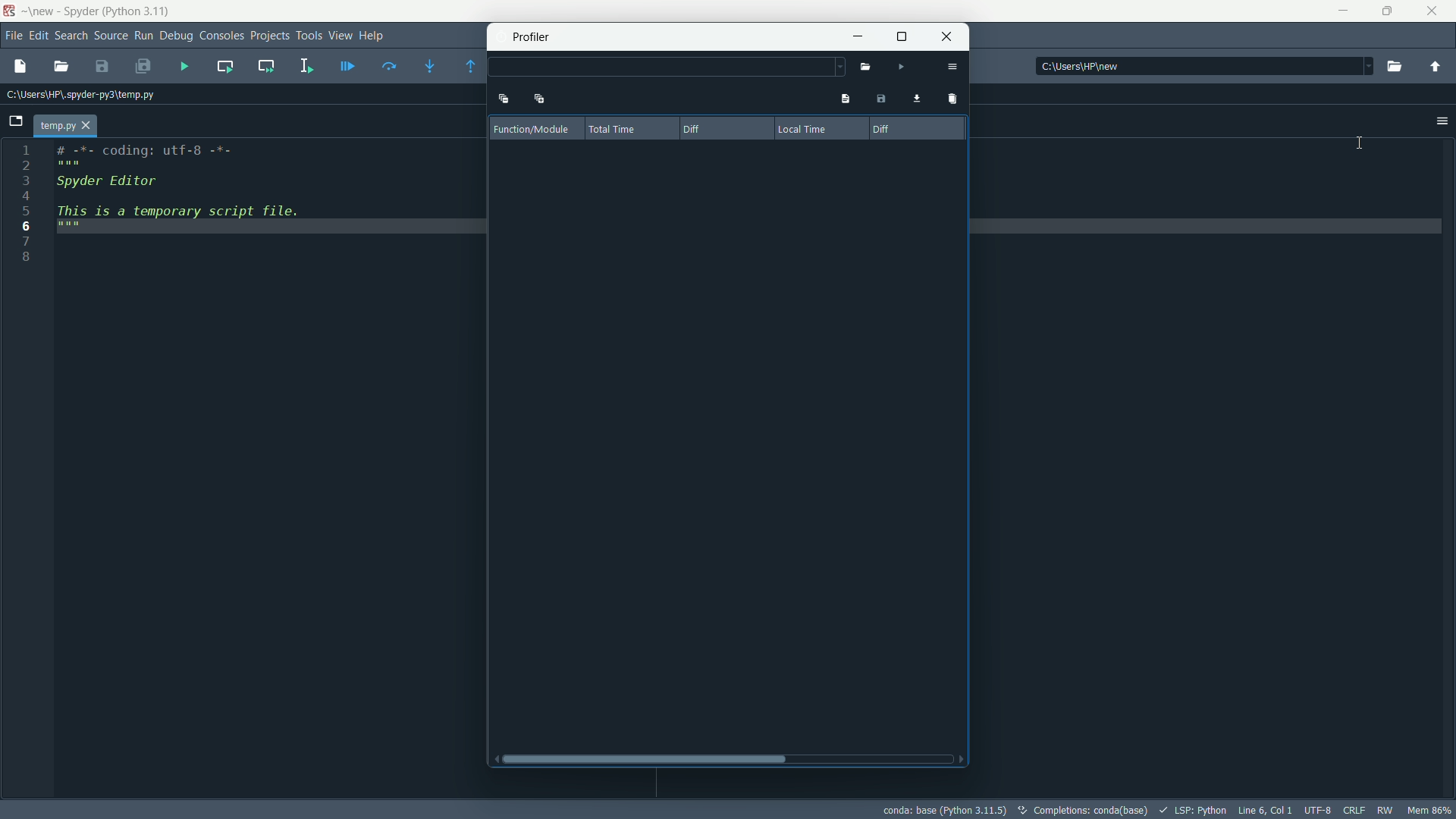 Image resolution: width=1456 pixels, height=819 pixels. What do you see at coordinates (26, 240) in the screenshot?
I see `7` at bounding box center [26, 240].